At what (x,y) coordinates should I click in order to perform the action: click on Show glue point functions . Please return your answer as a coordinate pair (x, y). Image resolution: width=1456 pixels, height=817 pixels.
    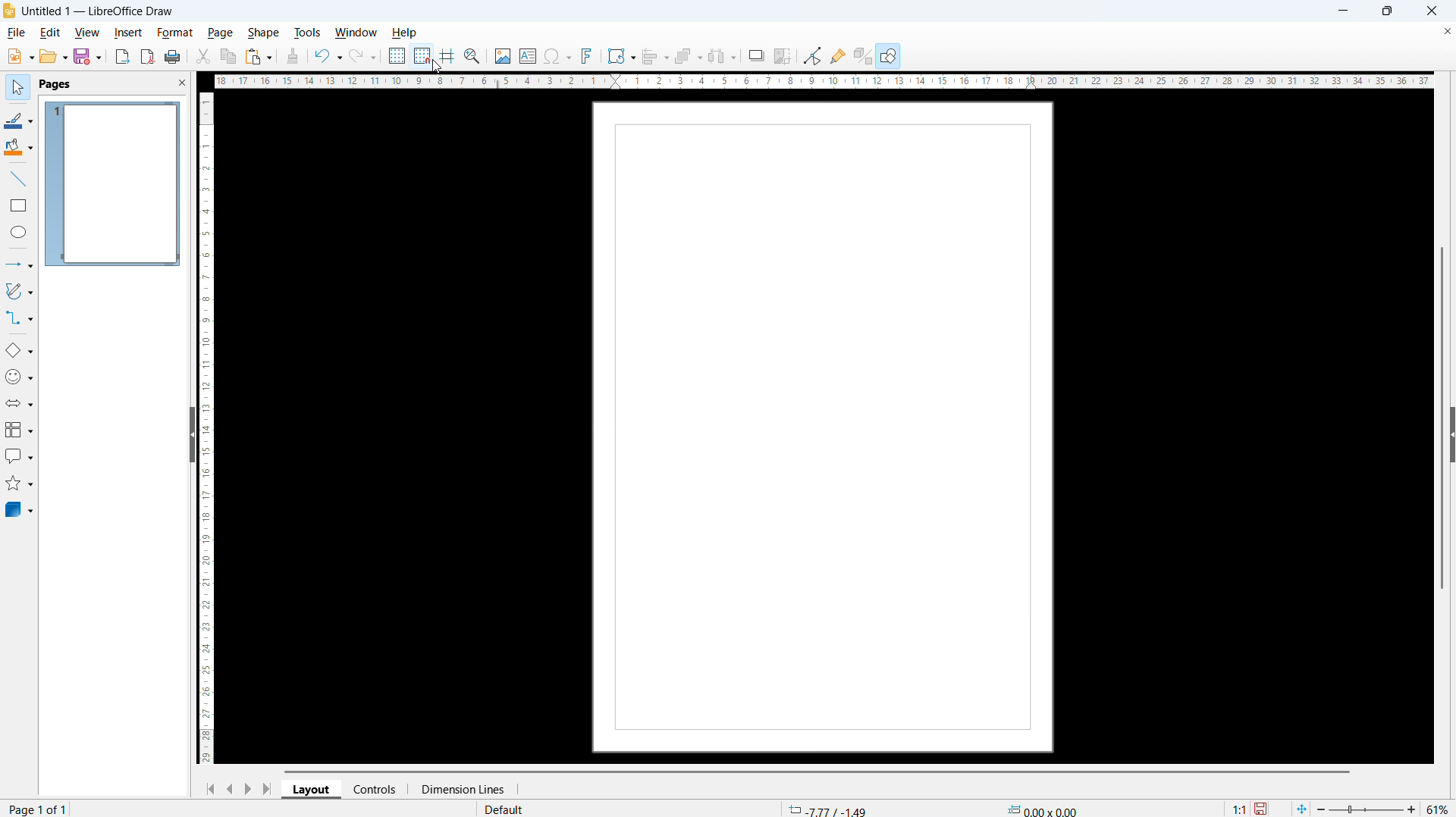
    Looking at the image, I should click on (838, 54).